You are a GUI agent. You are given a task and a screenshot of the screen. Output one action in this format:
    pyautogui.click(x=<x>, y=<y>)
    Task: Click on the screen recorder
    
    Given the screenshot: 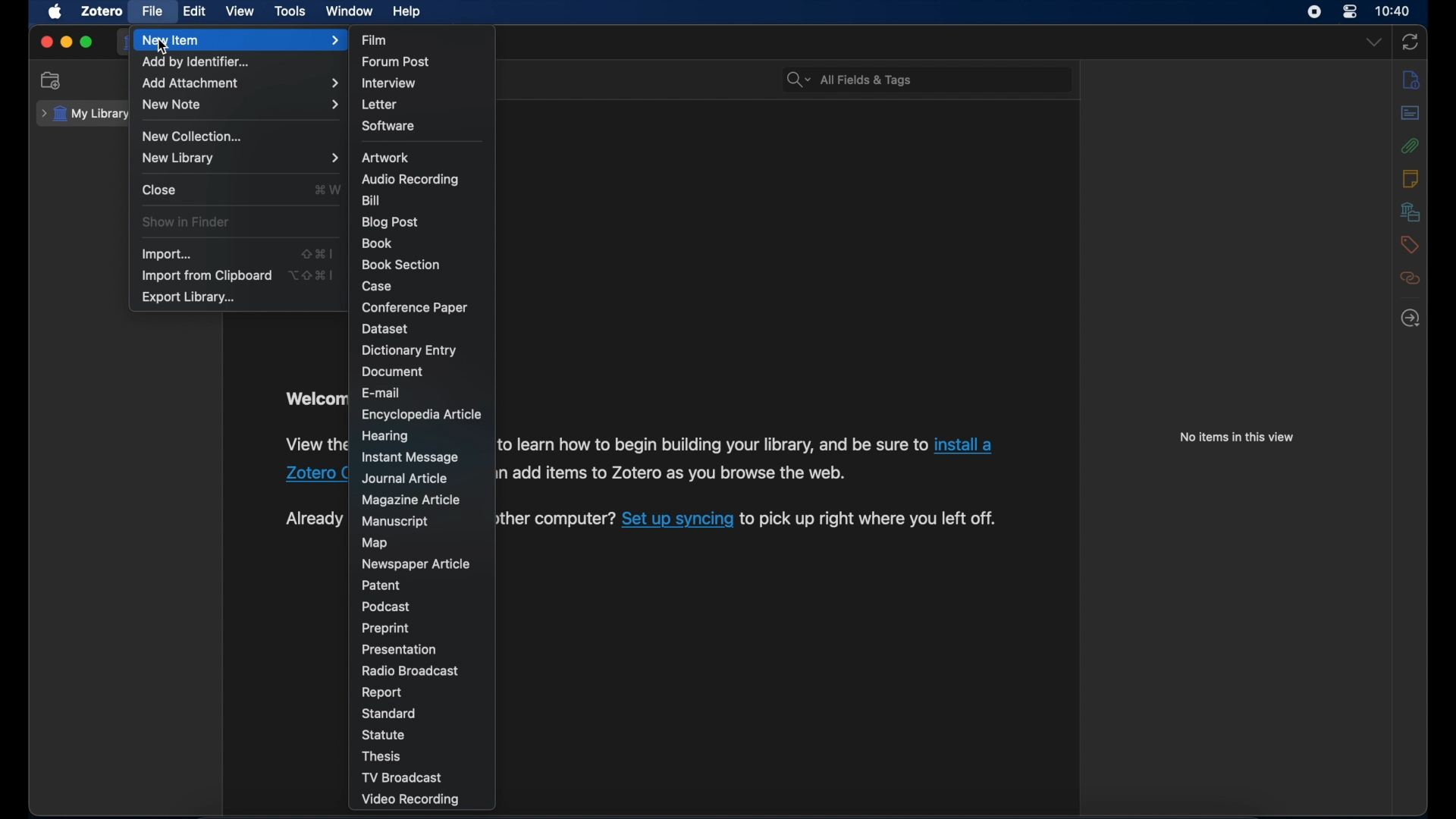 What is the action you would take?
    pyautogui.click(x=1316, y=12)
    